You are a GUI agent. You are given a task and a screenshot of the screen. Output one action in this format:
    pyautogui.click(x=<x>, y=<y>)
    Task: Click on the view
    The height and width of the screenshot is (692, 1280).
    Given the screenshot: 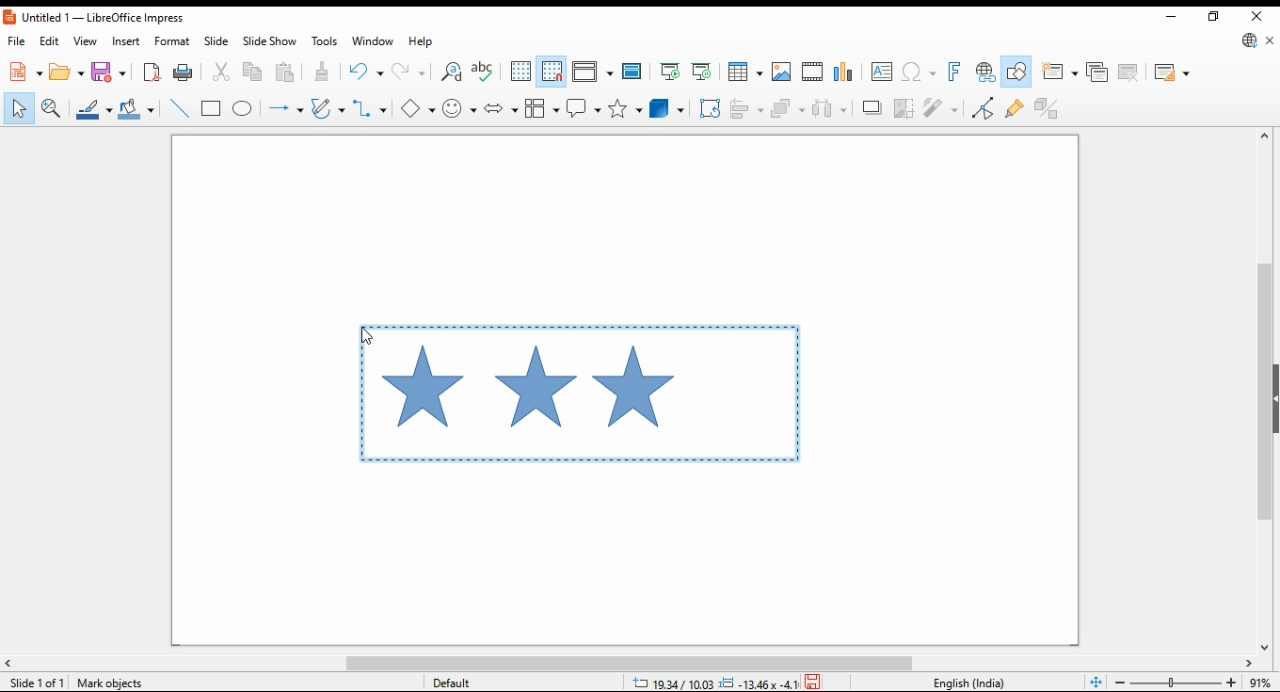 What is the action you would take?
    pyautogui.click(x=86, y=41)
    